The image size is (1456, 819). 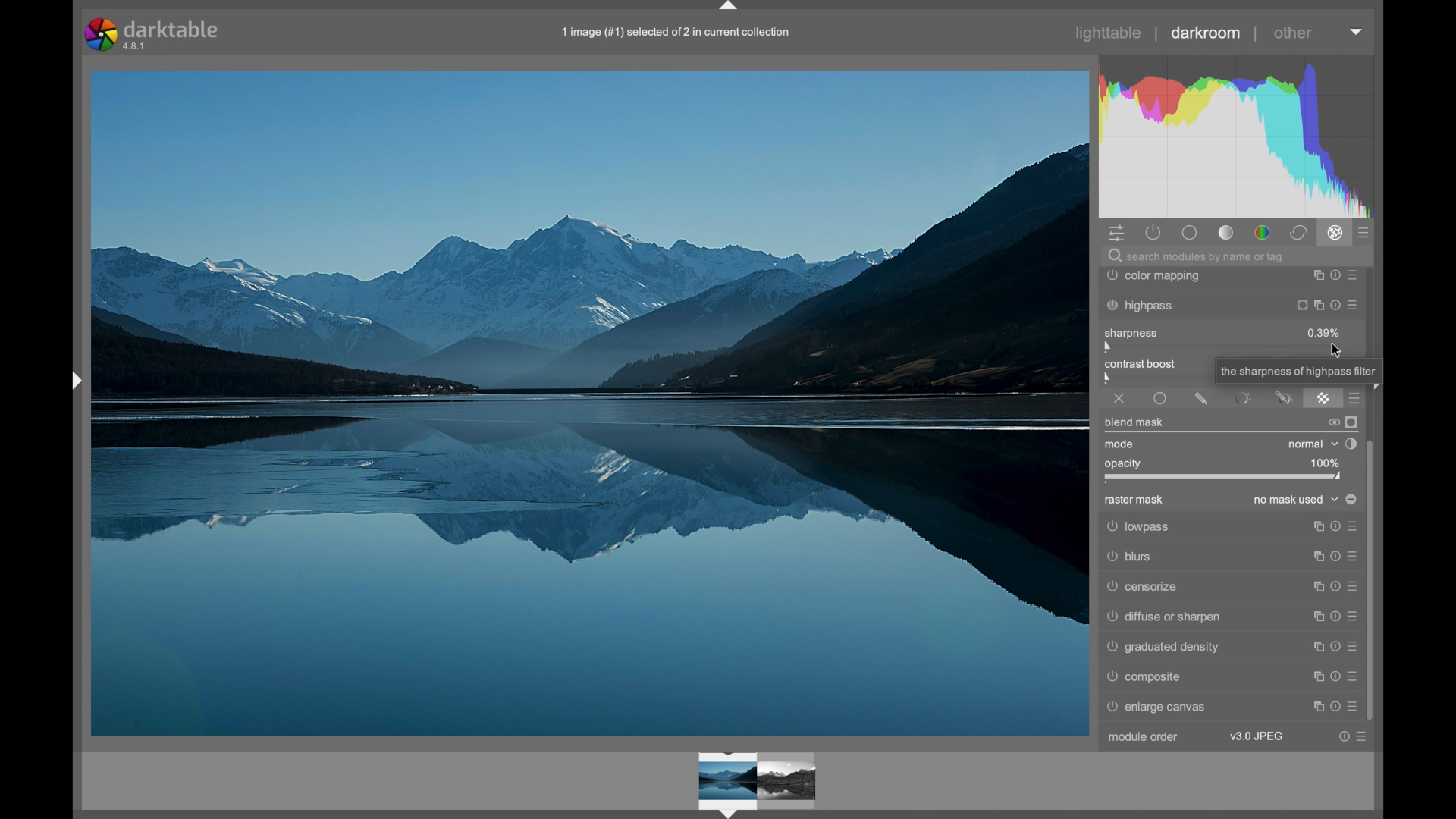 What do you see at coordinates (1323, 463) in the screenshot?
I see `100%` at bounding box center [1323, 463].